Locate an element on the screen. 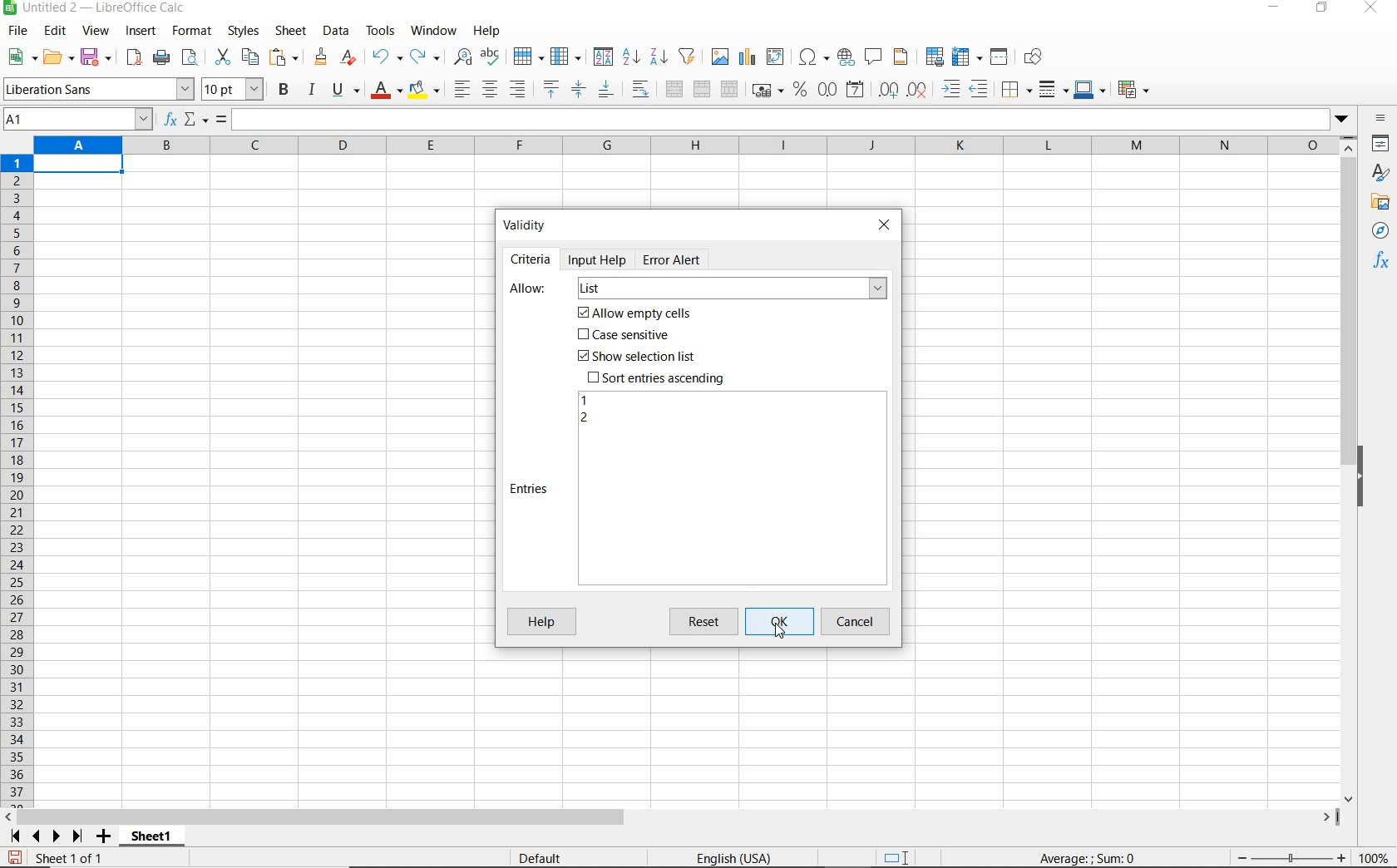 The width and height of the screenshot is (1397, 868). cursor is located at coordinates (778, 629).